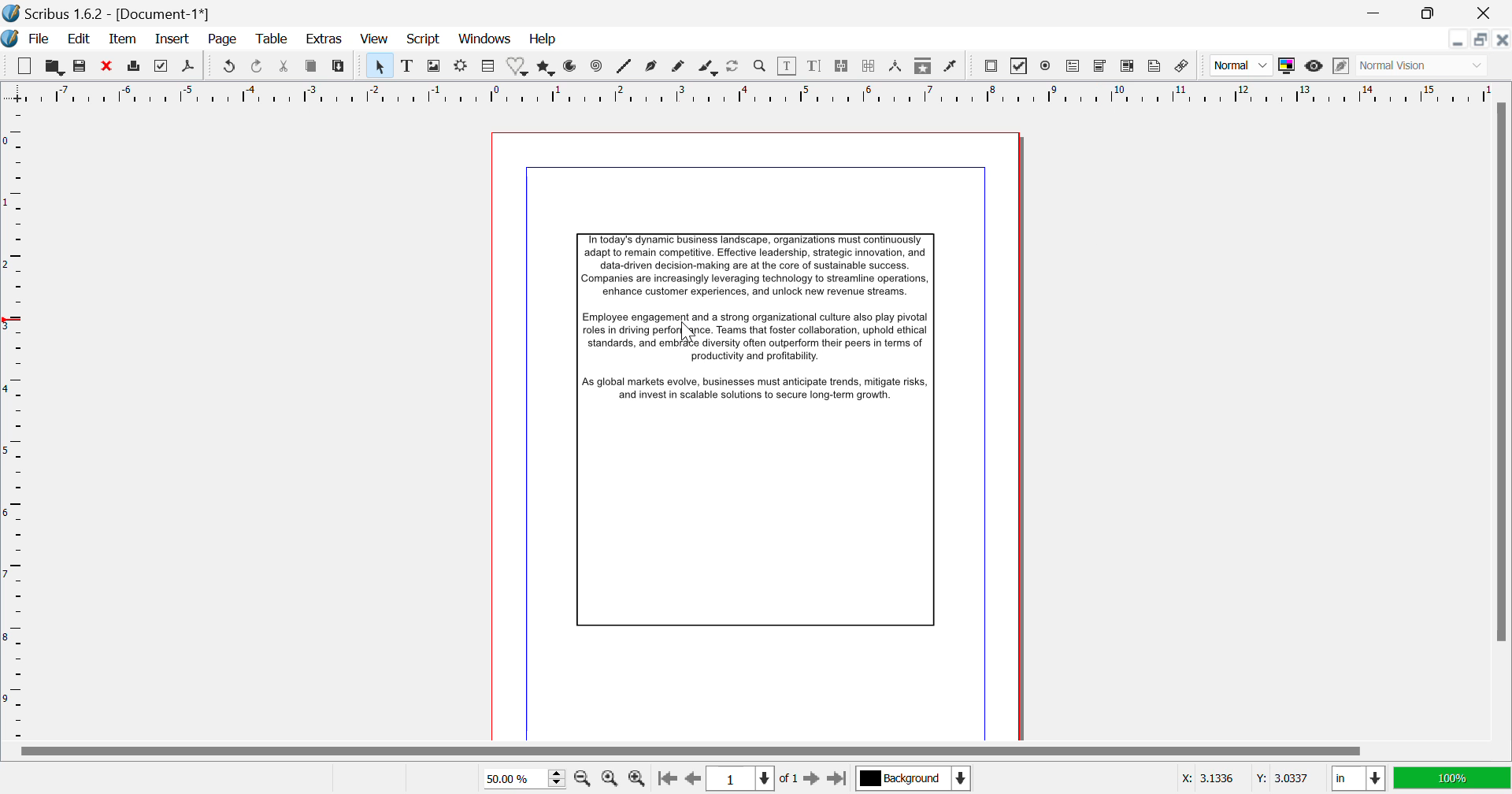 Image resolution: width=1512 pixels, height=794 pixels. I want to click on Cursor Position, so click(1248, 779).